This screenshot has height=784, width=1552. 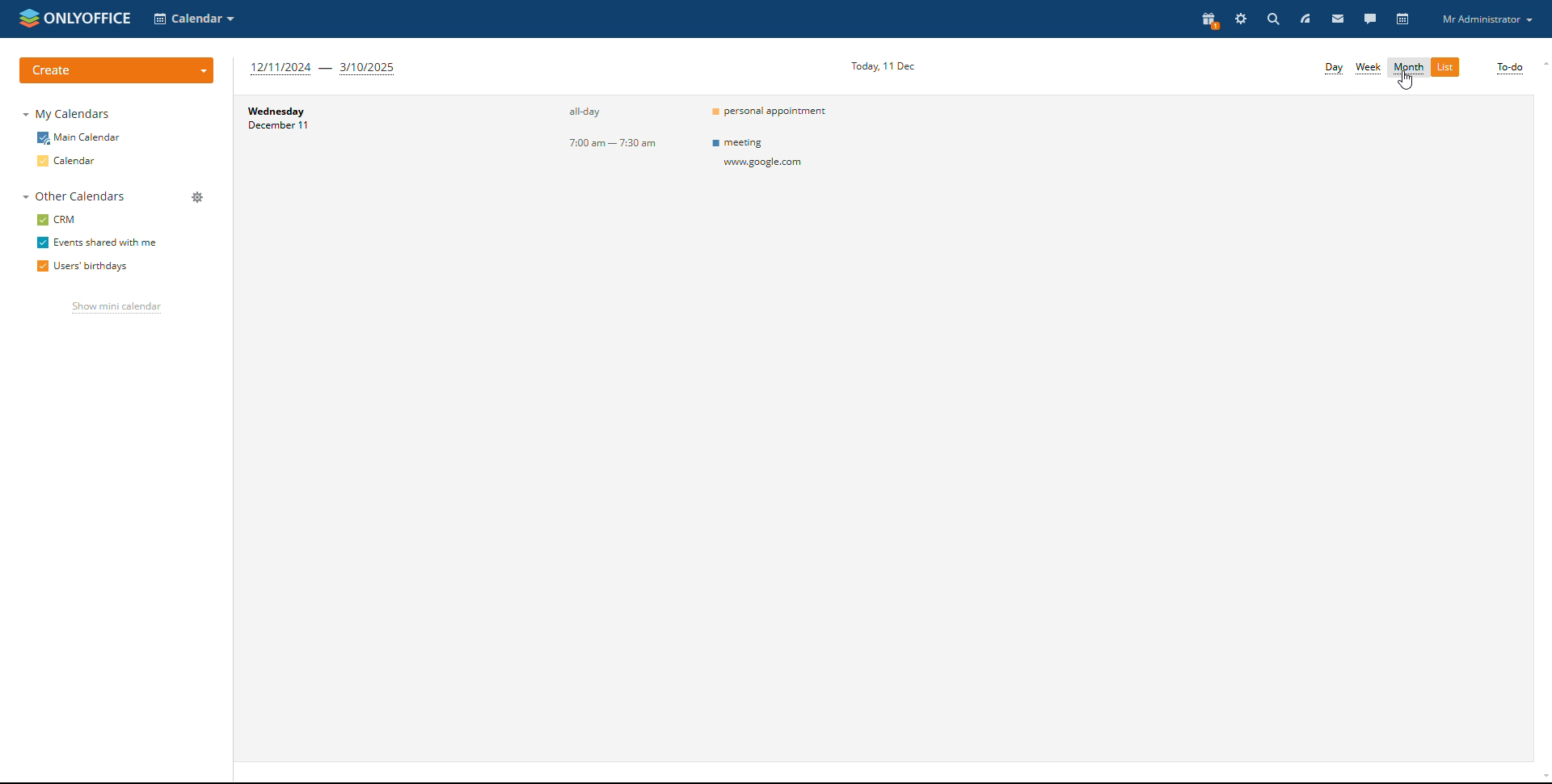 I want to click on present, so click(x=1210, y=19).